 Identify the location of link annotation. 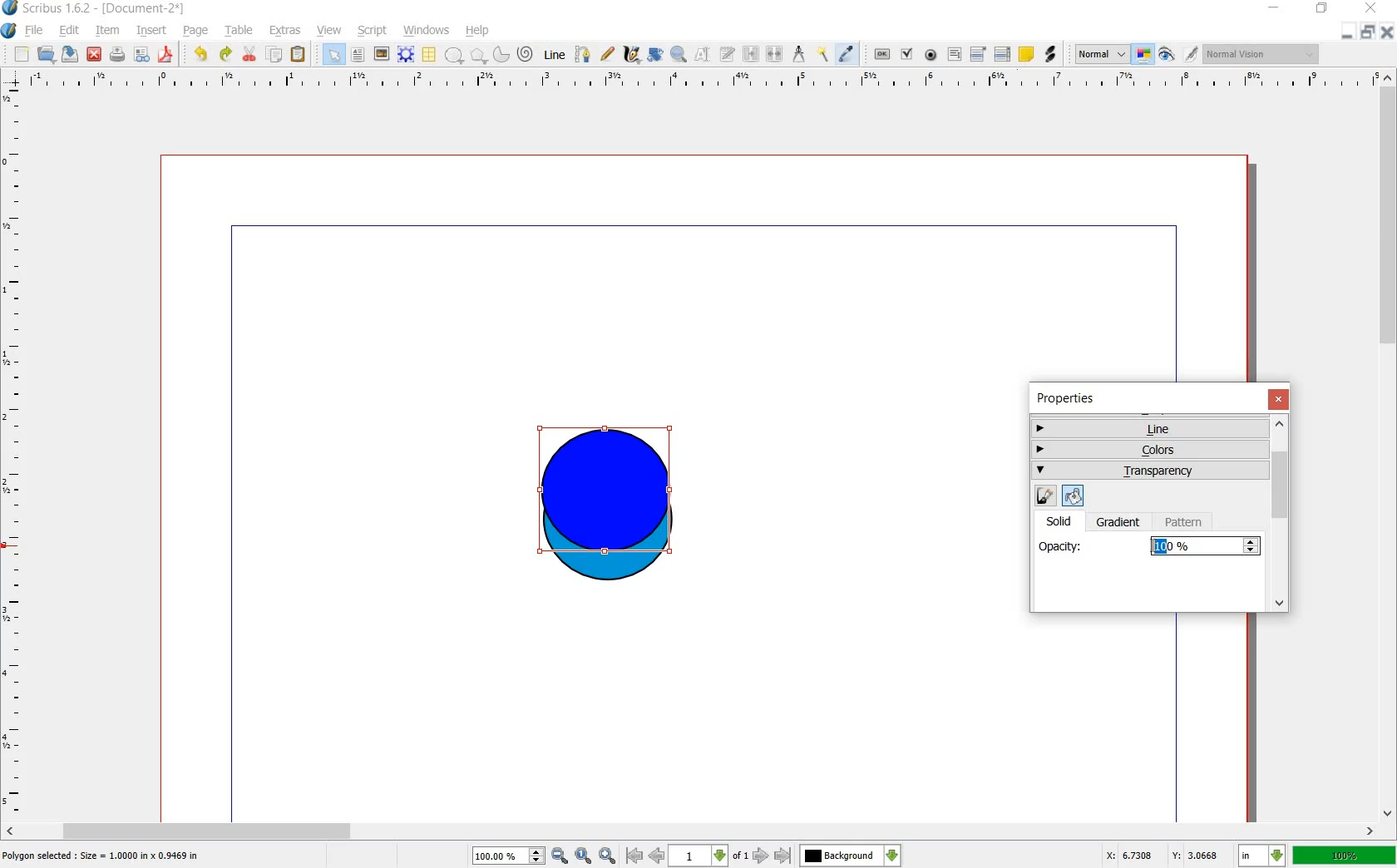
(1050, 53).